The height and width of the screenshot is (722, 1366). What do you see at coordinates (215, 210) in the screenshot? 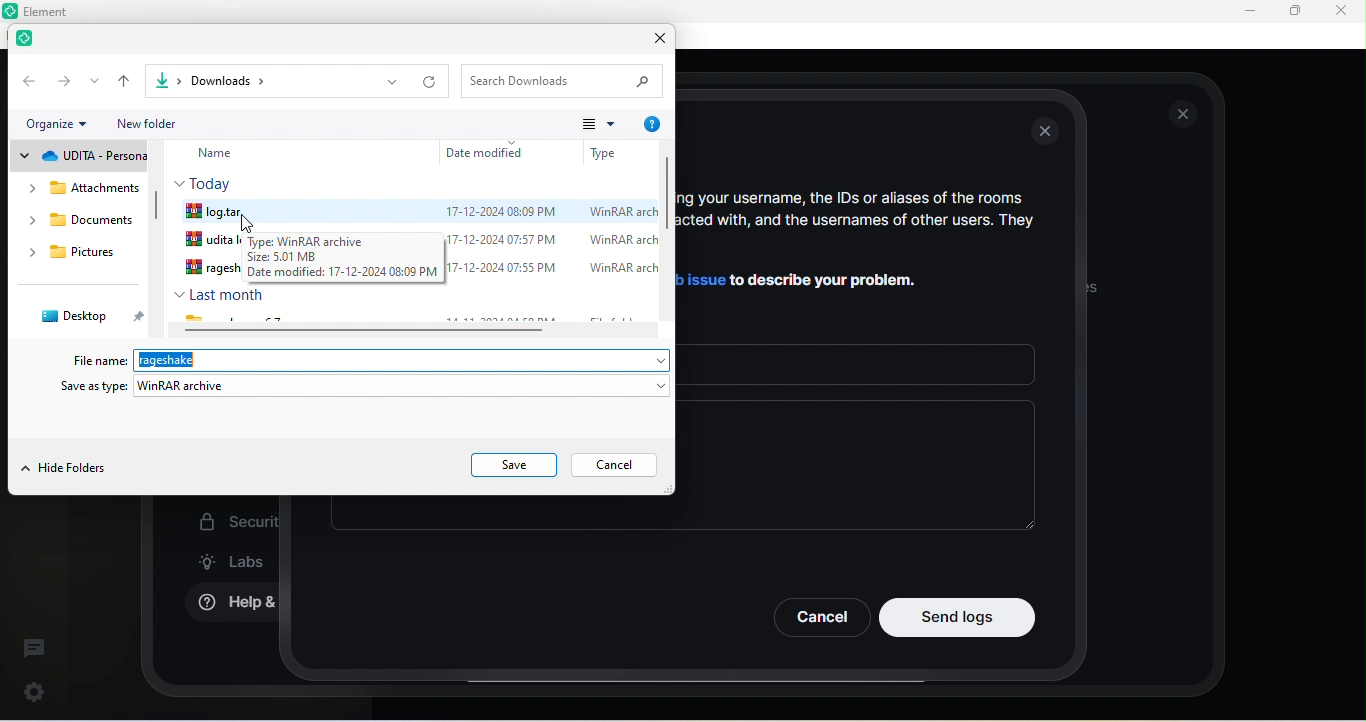
I see `Log.tar` at bounding box center [215, 210].